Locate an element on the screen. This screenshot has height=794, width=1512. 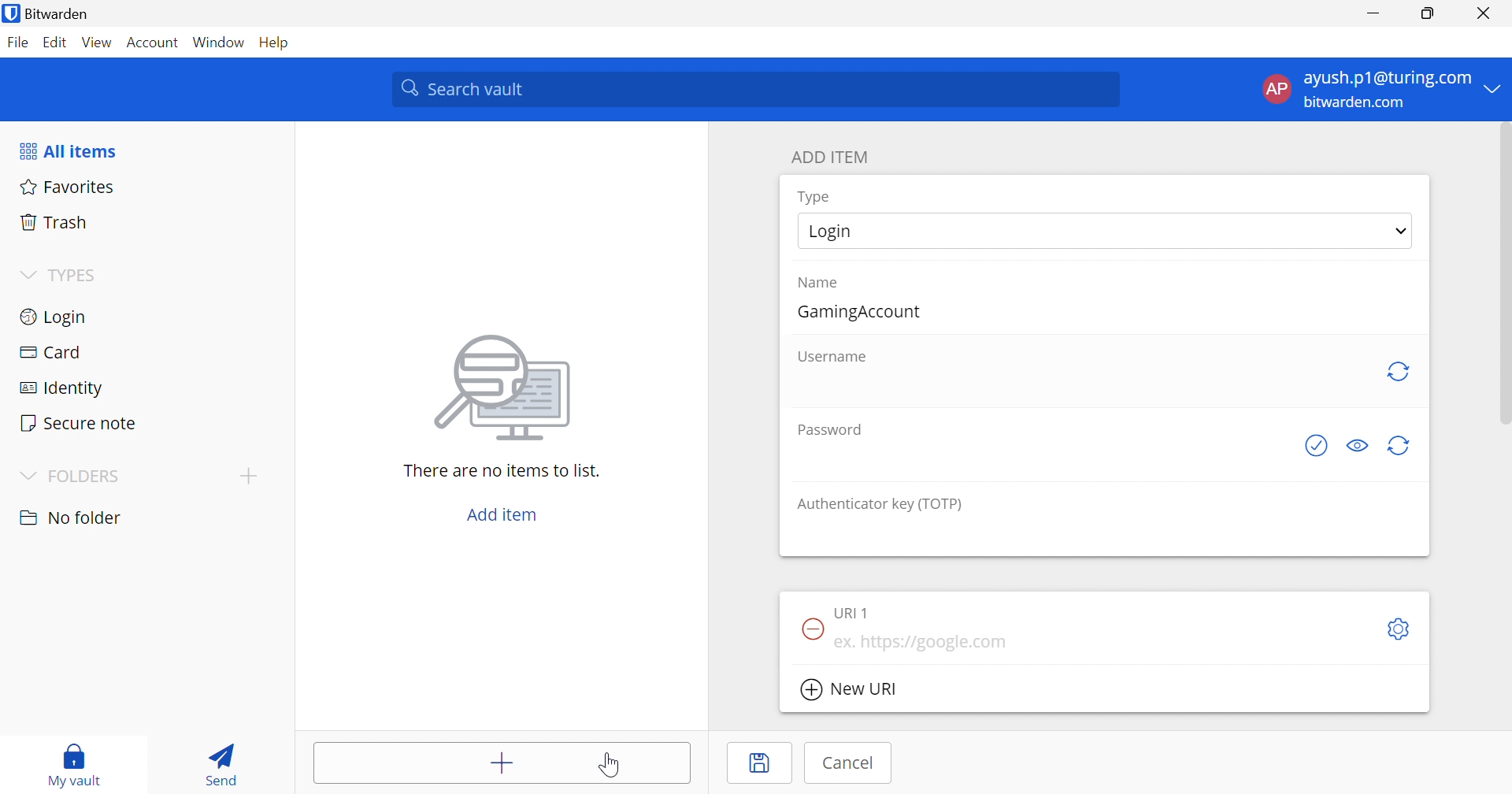
Card is located at coordinates (53, 354).